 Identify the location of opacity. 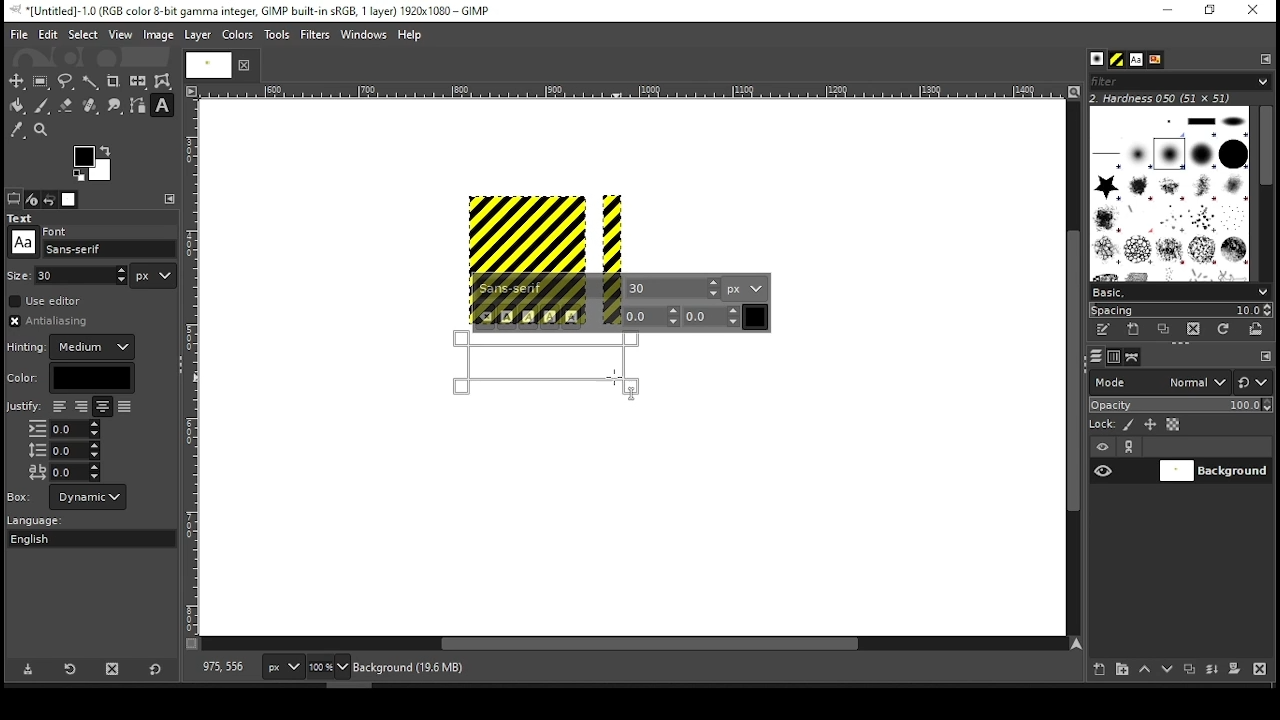
(1179, 407).